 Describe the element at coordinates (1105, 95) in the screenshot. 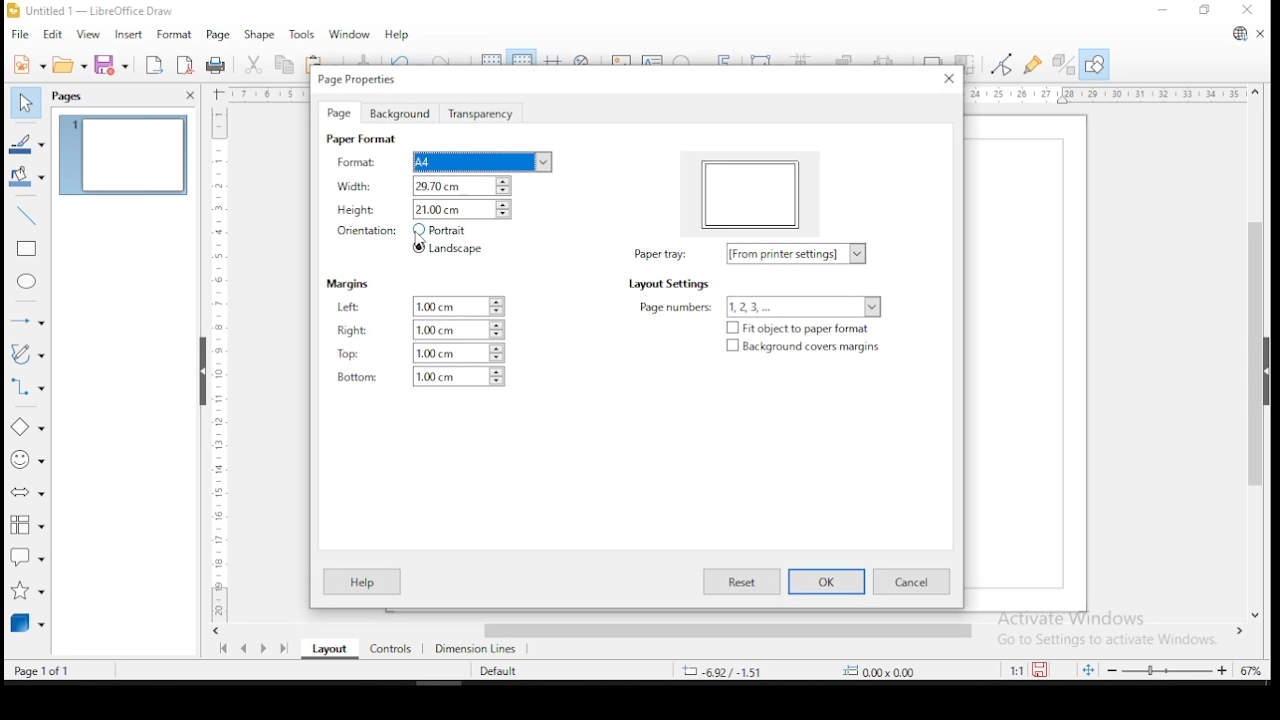

I see `scale` at that location.